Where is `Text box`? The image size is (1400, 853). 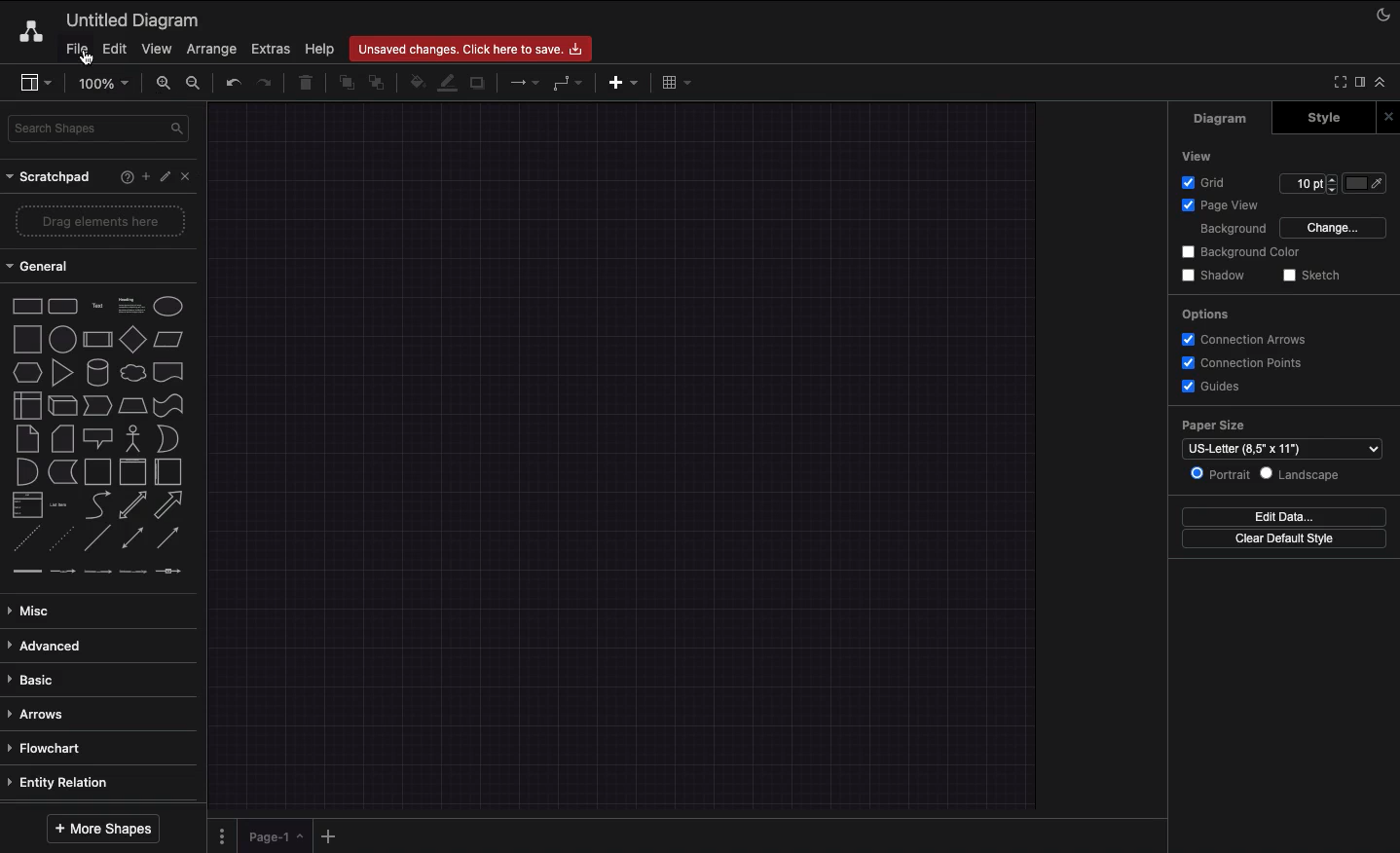 Text box is located at coordinates (129, 306).